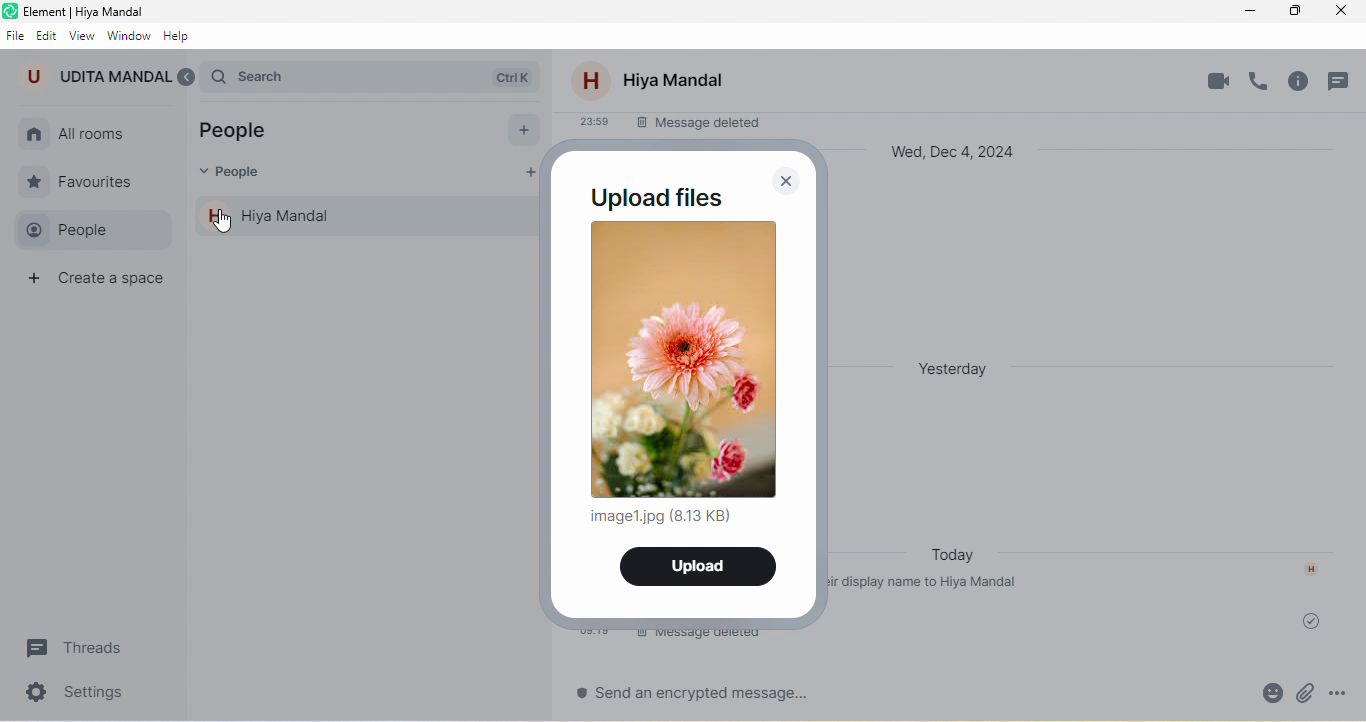 Image resolution: width=1366 pixels, height=722 pixels. I want to click on settings, so click(84, 695).